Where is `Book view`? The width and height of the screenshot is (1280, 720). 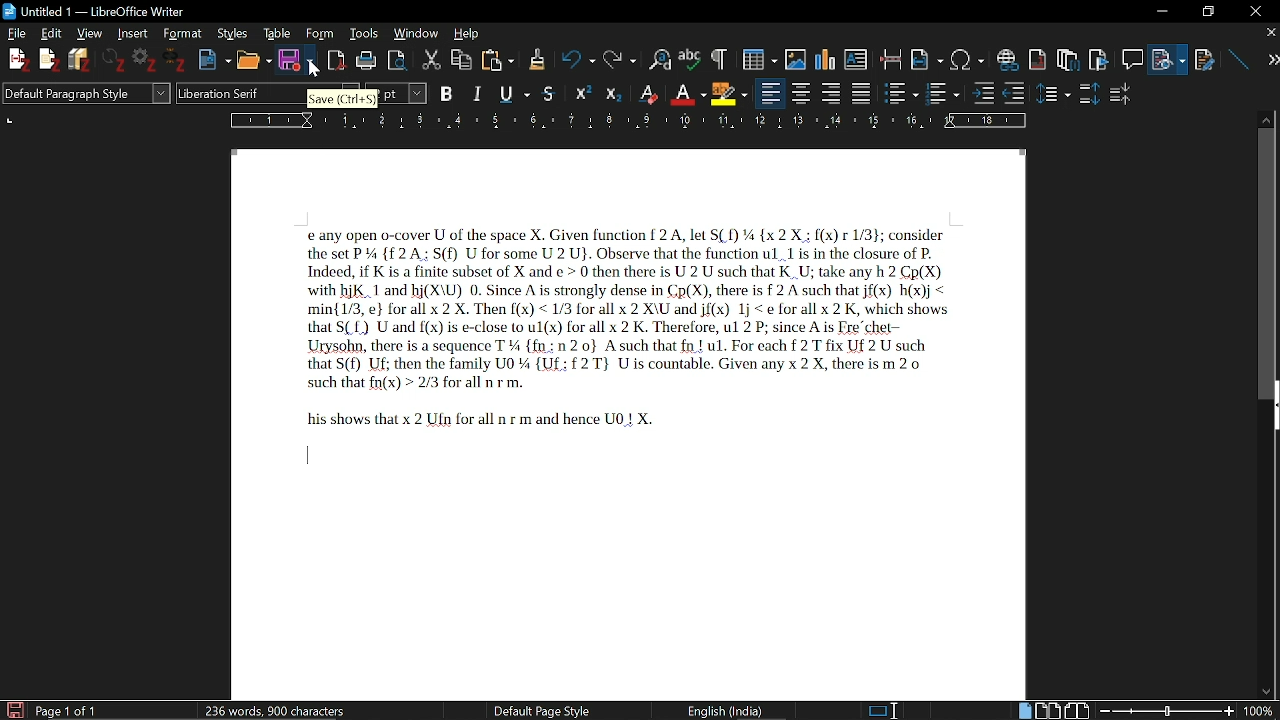 Book view is located at coordinates (1077, 709).